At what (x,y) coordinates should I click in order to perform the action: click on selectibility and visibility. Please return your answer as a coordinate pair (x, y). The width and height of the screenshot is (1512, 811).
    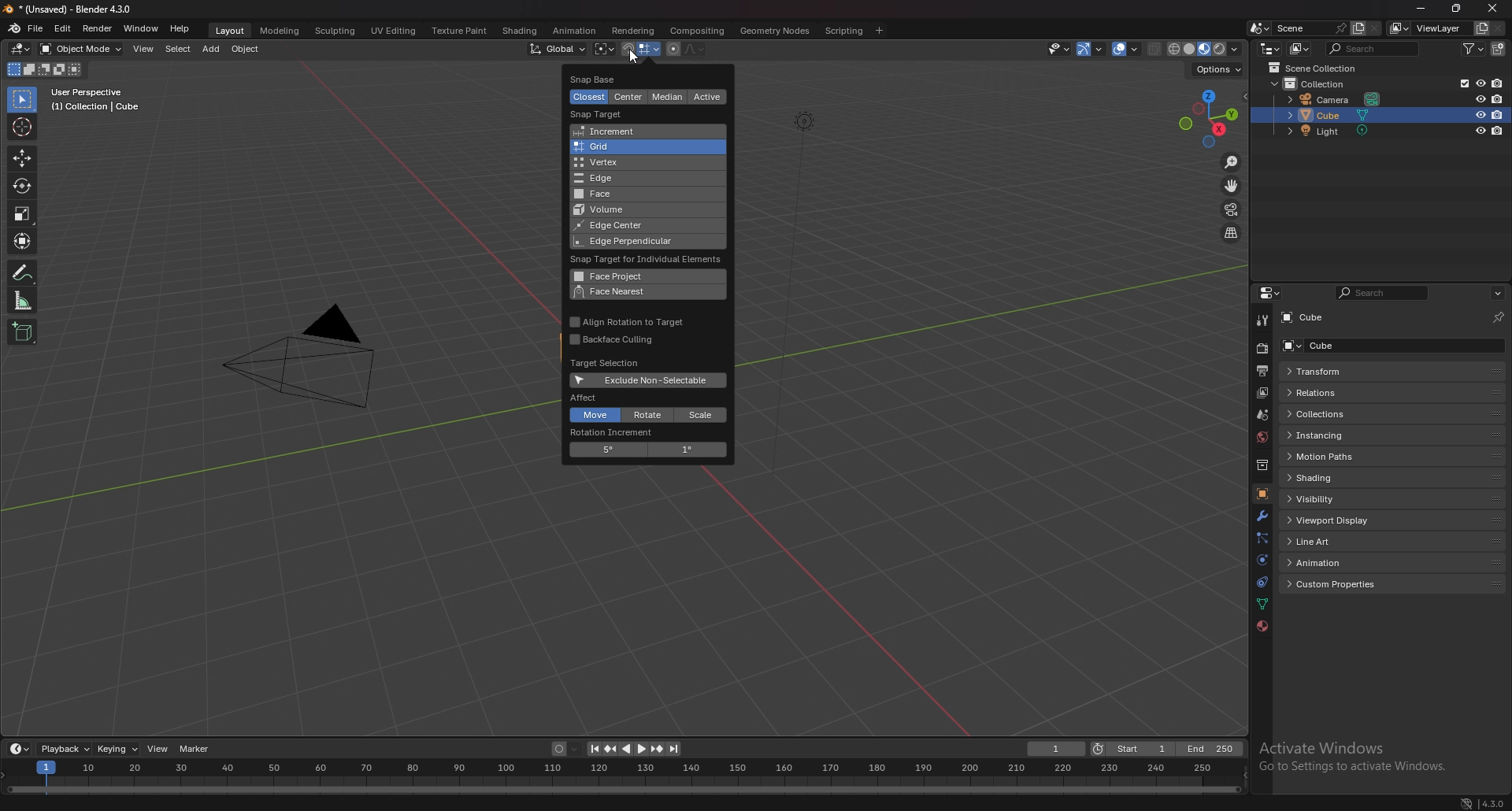
    Looking at the image, I should click on (1060, 50).